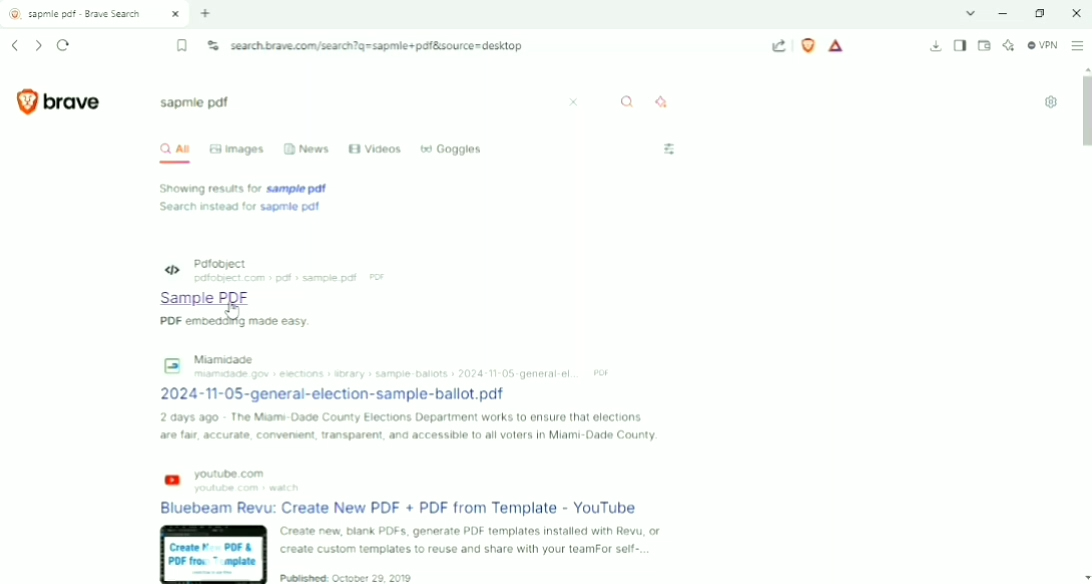 The height and width of the screenshot is (584, 1092). What do you see at coordinates (240, 207) in the screenshot?
I see `Search instead for sample pdf` at bounding box center [240, 207].